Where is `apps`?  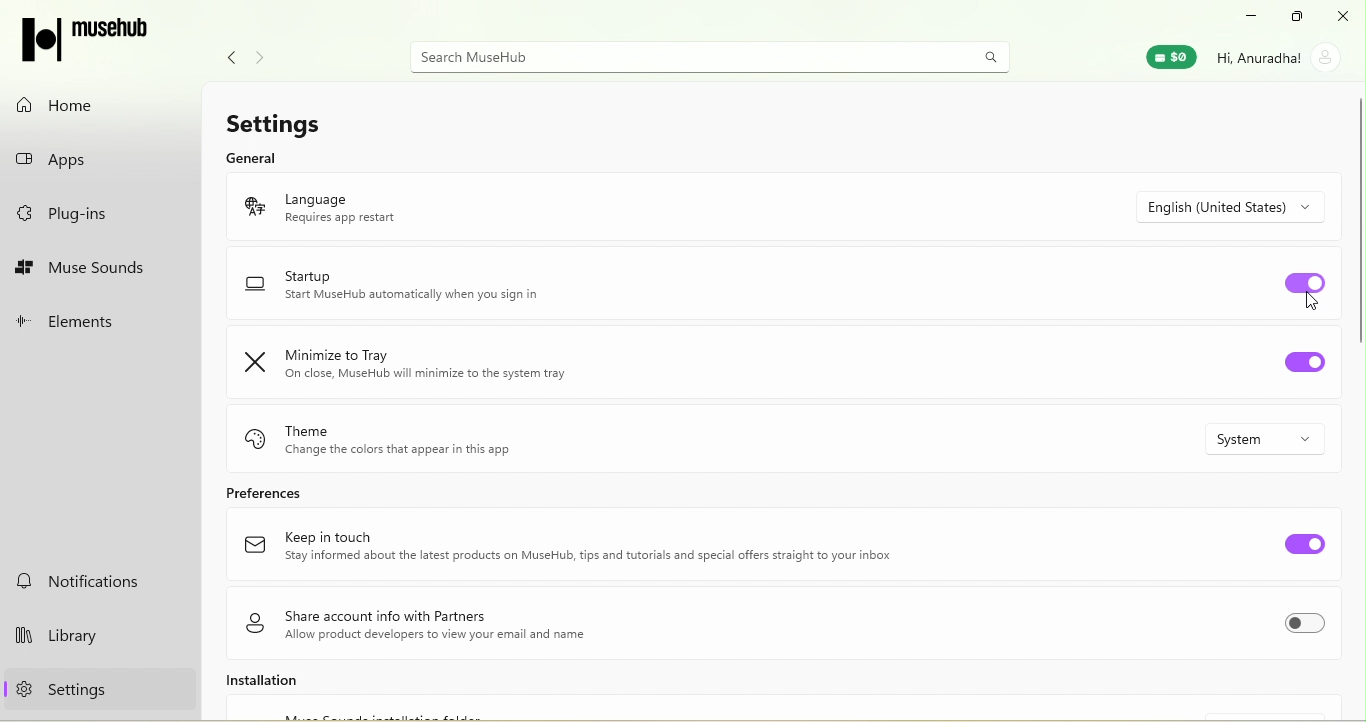
apps is located at coordinates (93, 162).